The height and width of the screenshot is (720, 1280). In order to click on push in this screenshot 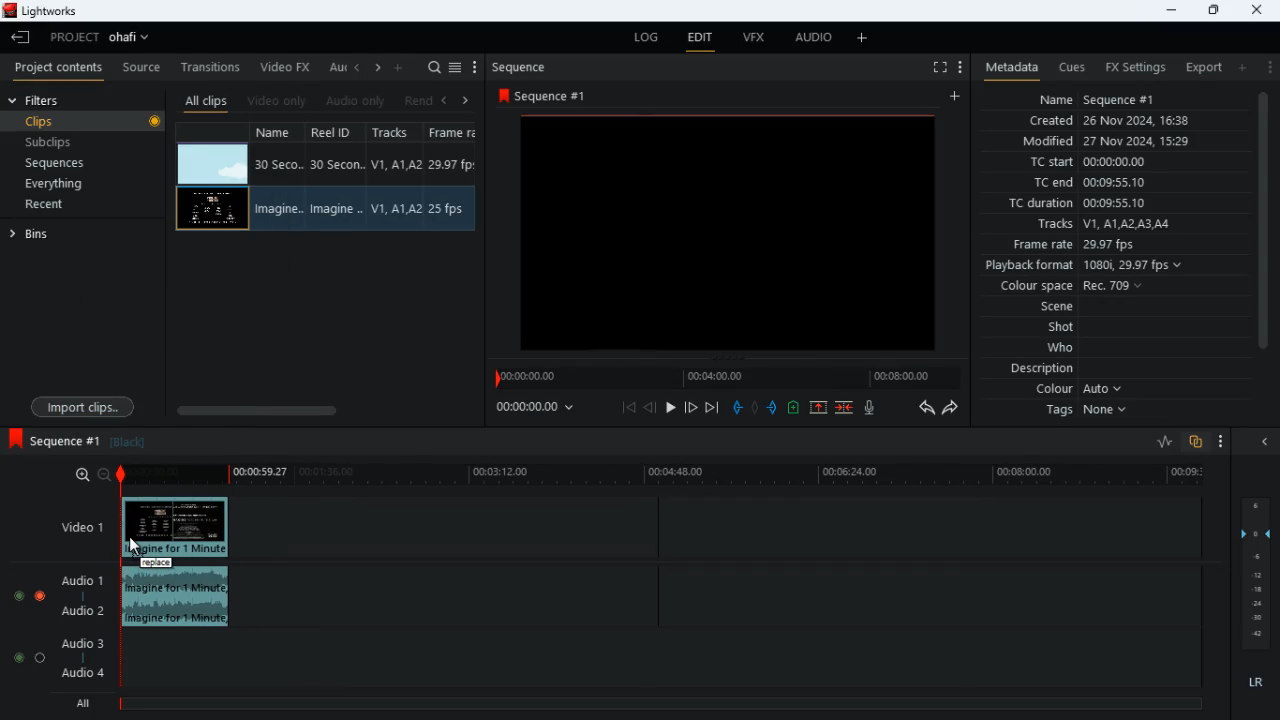, I will do `click(775, 409)`.